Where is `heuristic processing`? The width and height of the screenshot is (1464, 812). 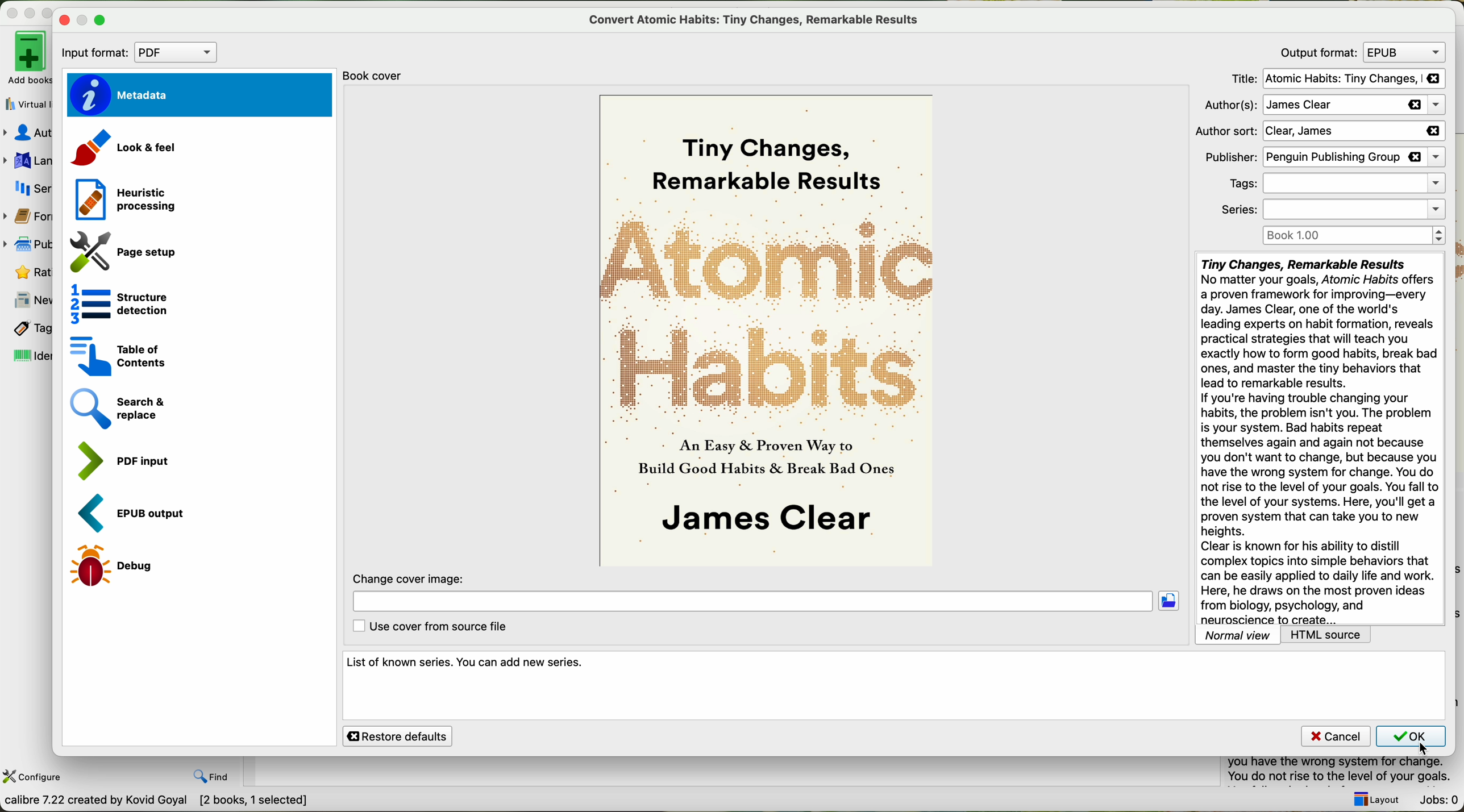
heuristic processing is located at coordinates (120, 197).